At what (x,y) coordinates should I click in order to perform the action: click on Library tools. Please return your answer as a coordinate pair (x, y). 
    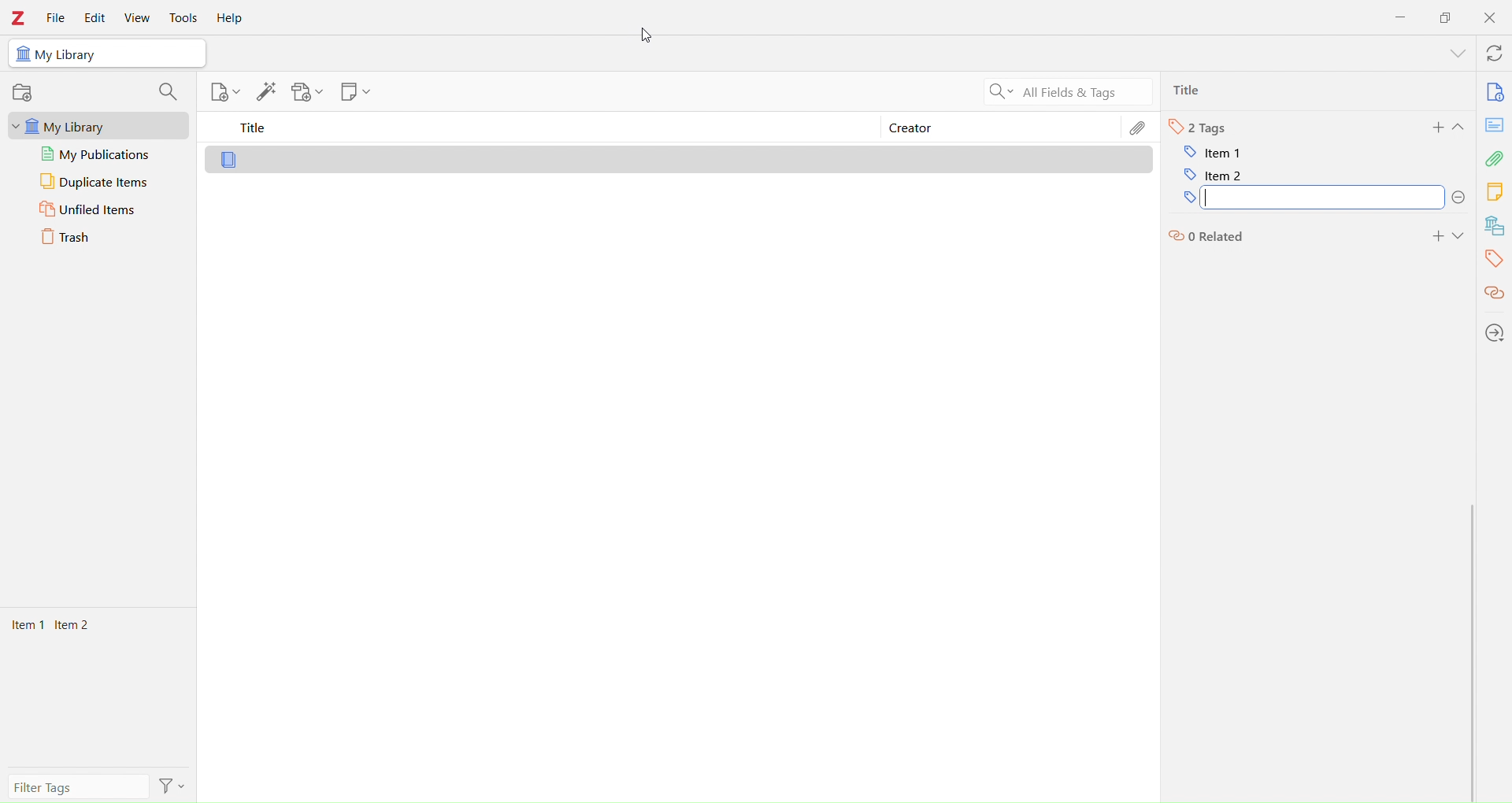
    Looking at the image, I should click on (284, 93).